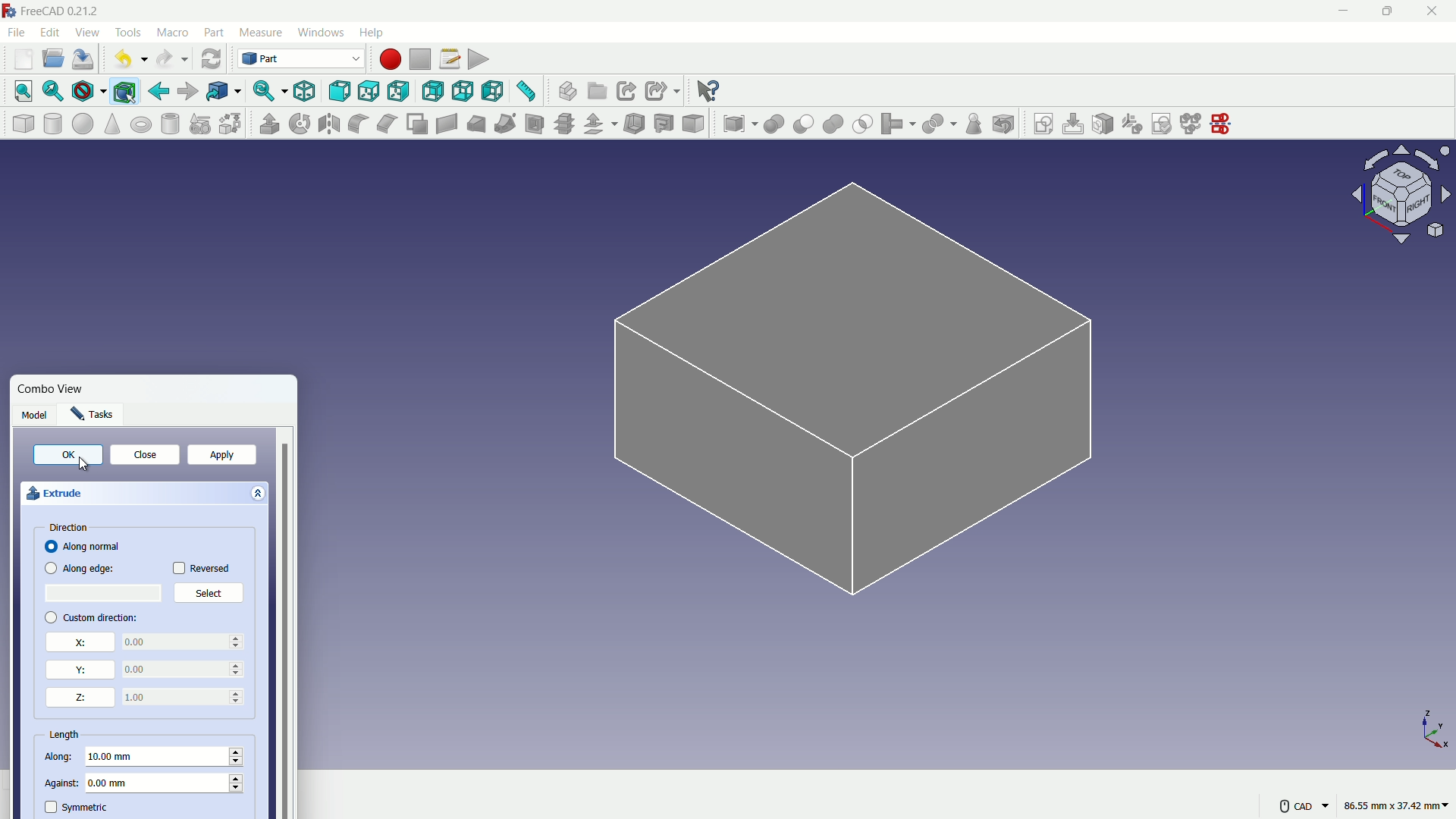 The height and width of the screenshot is (819, 1456). Describe the element at coordinates (268, 89) in the screenshot. I see `sync view` at that location.